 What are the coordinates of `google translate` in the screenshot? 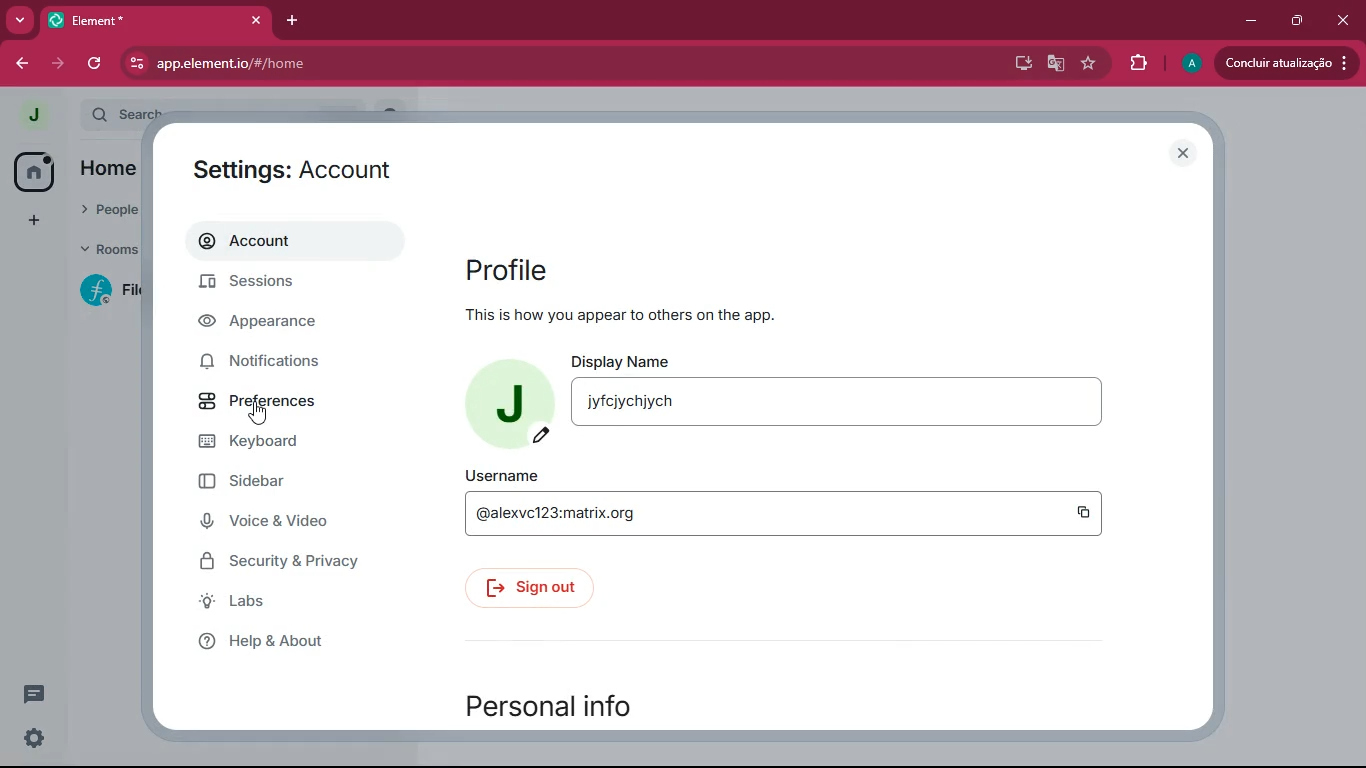 It's located at (1055, 64).